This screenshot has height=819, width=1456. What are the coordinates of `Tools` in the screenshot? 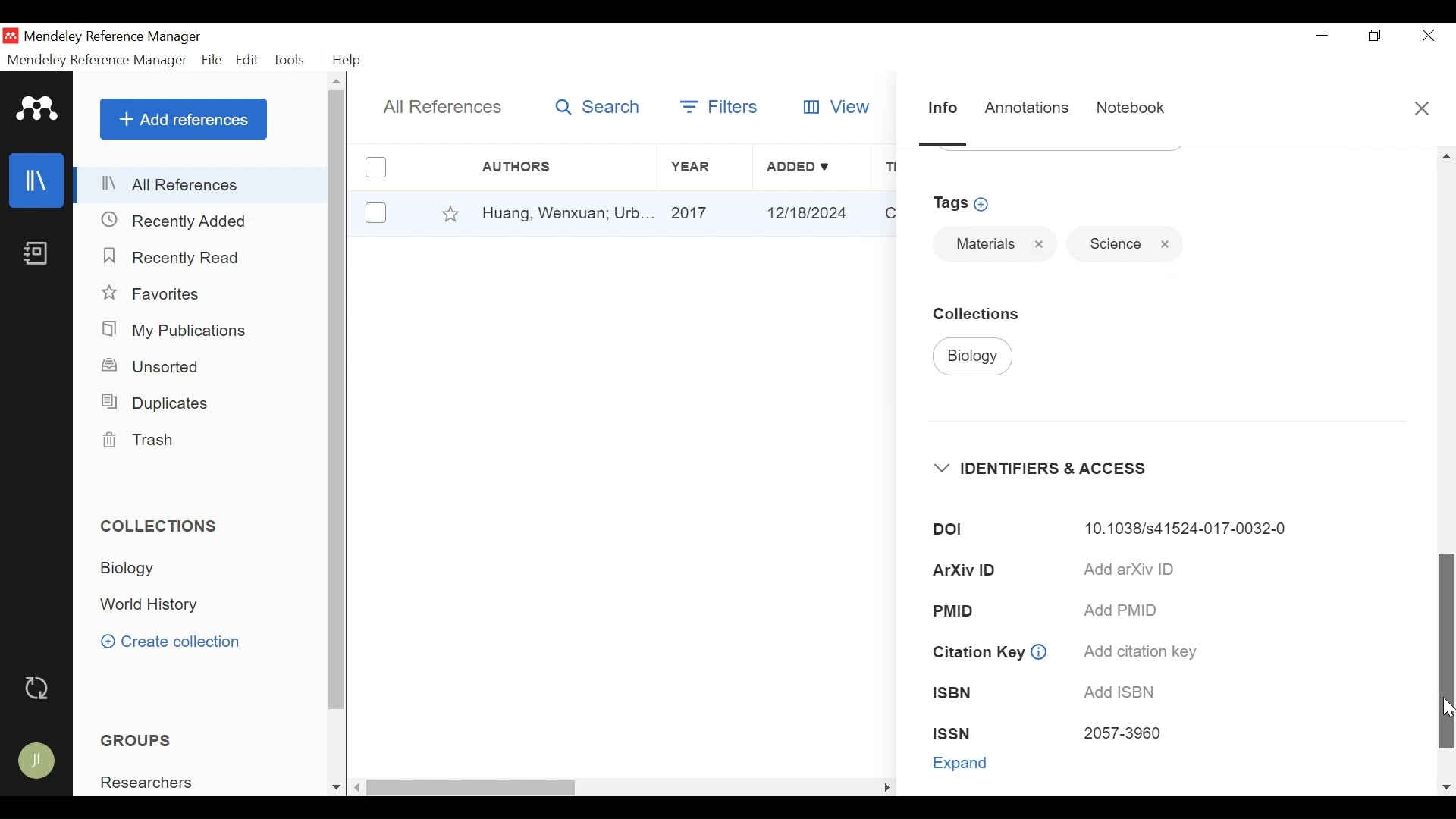 It's located at (290, 60).